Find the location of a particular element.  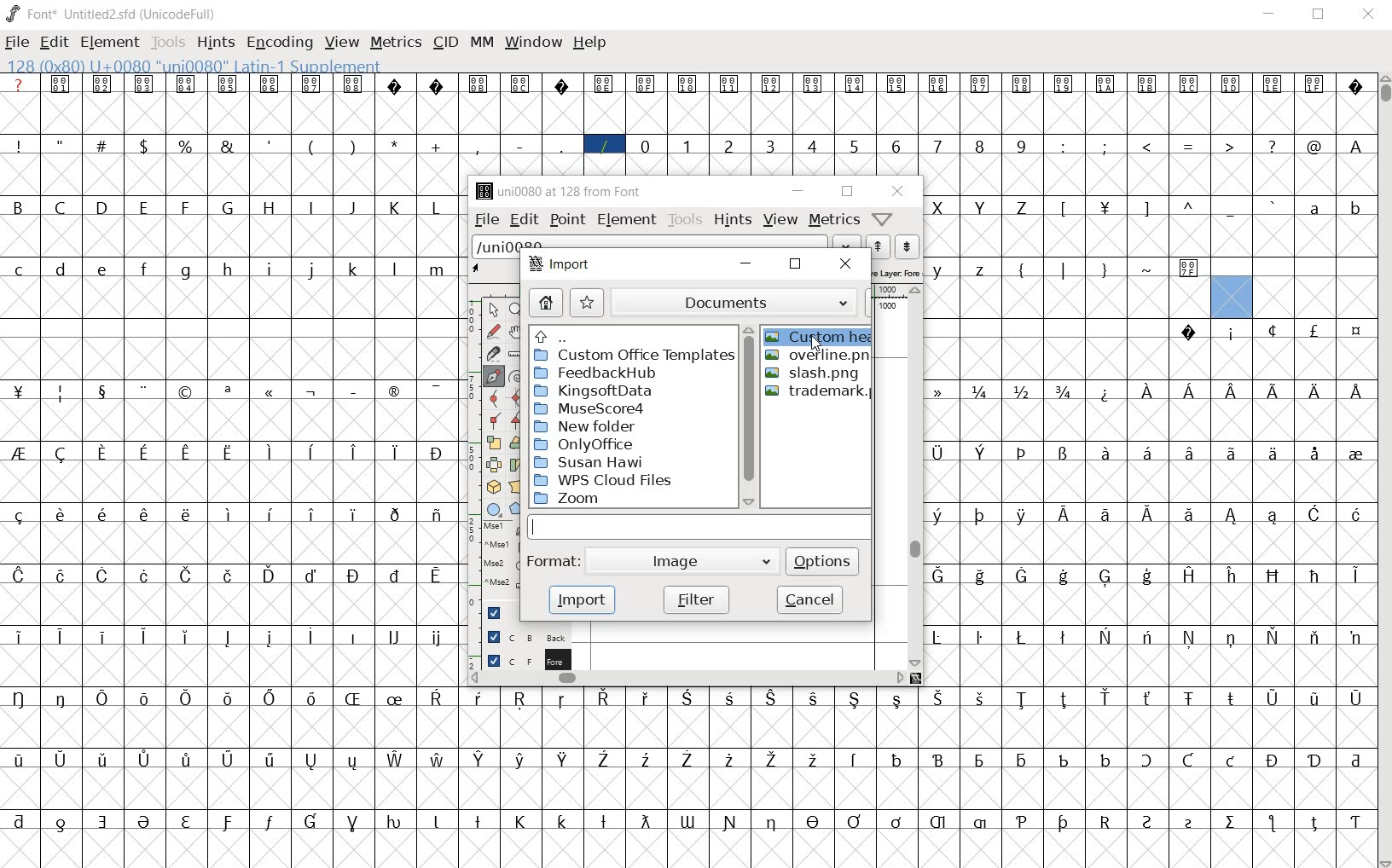

glyph is located at coordinates (354, 84).